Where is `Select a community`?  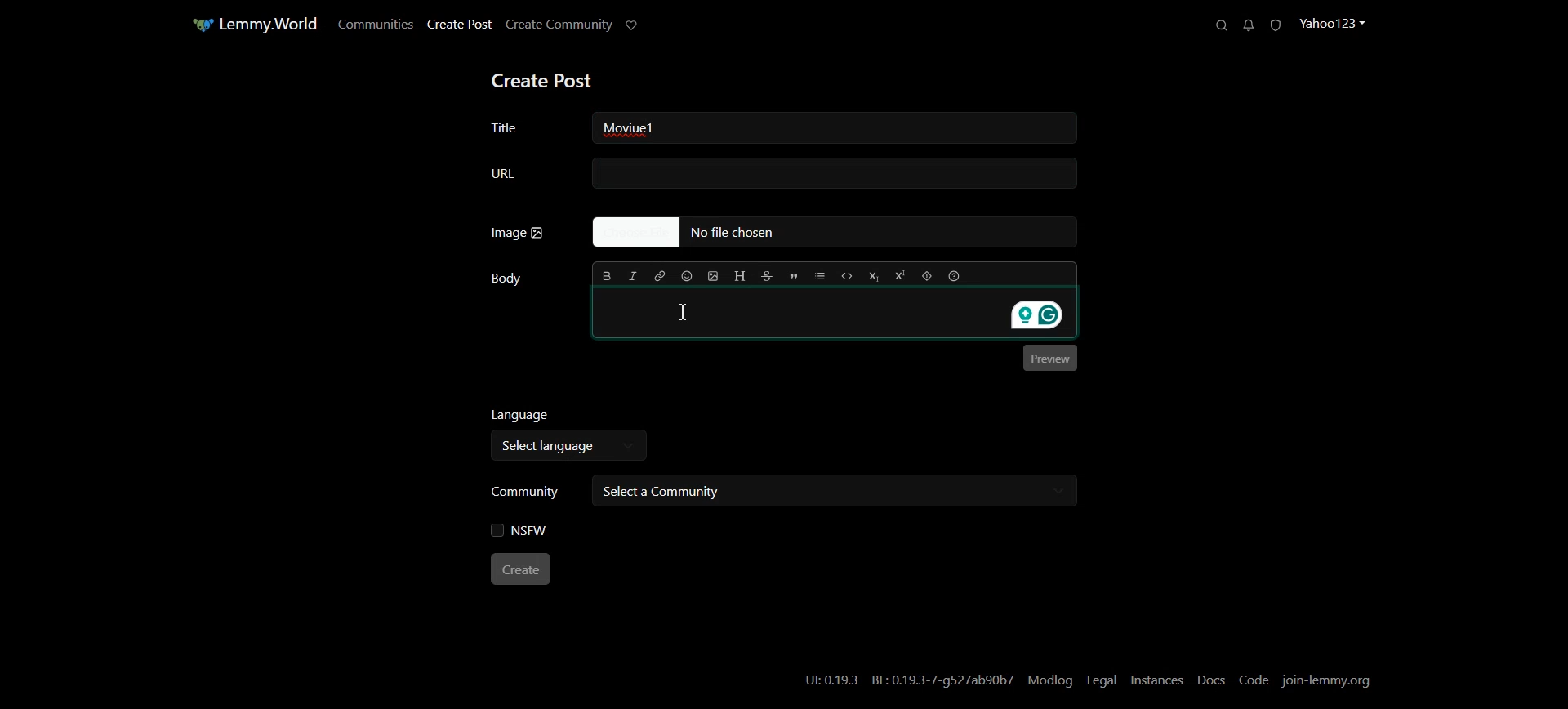 Select a community is located at coordinates (831, 491).